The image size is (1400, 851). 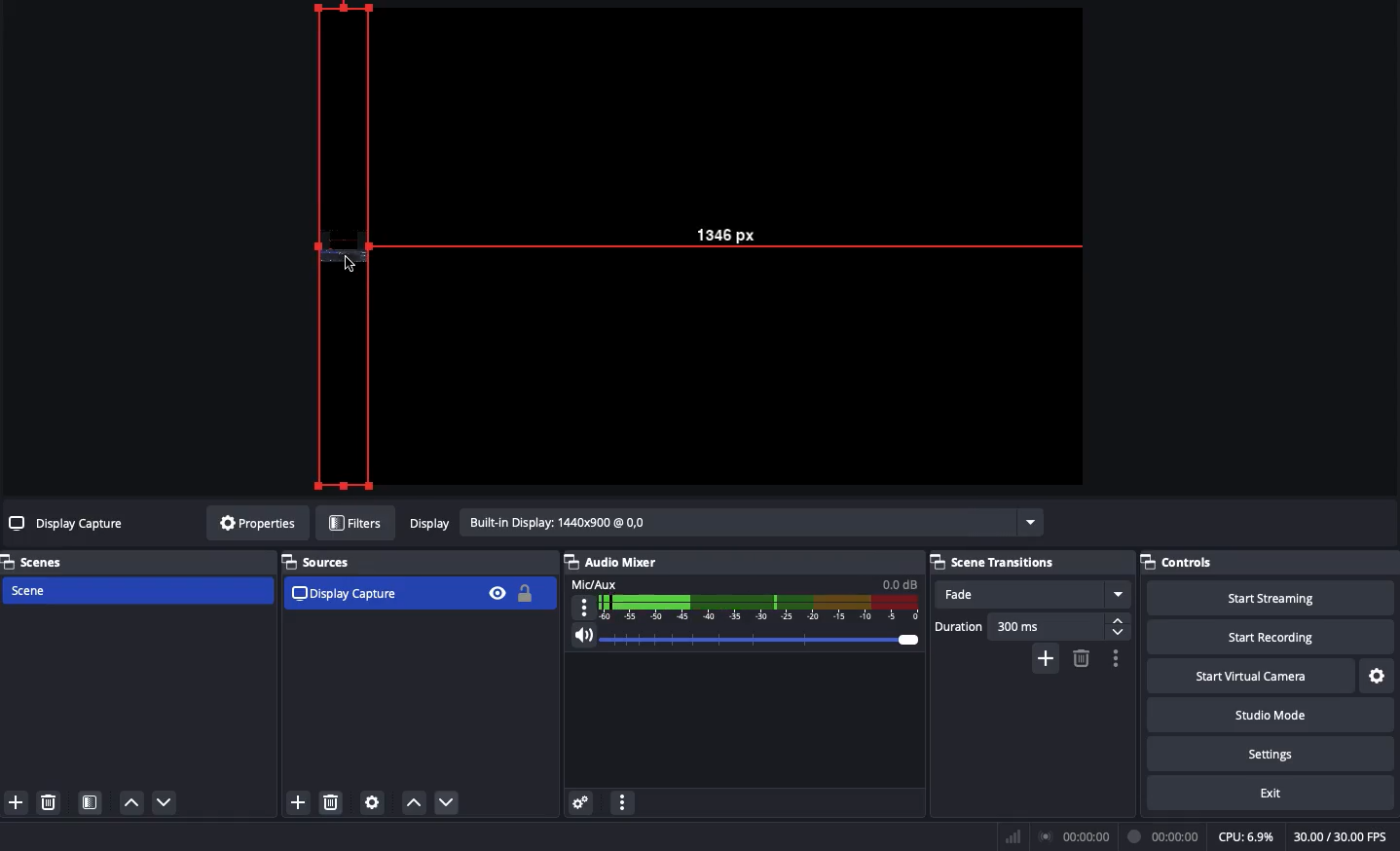 I want to click on Recording , so click(x=1164, y=836).